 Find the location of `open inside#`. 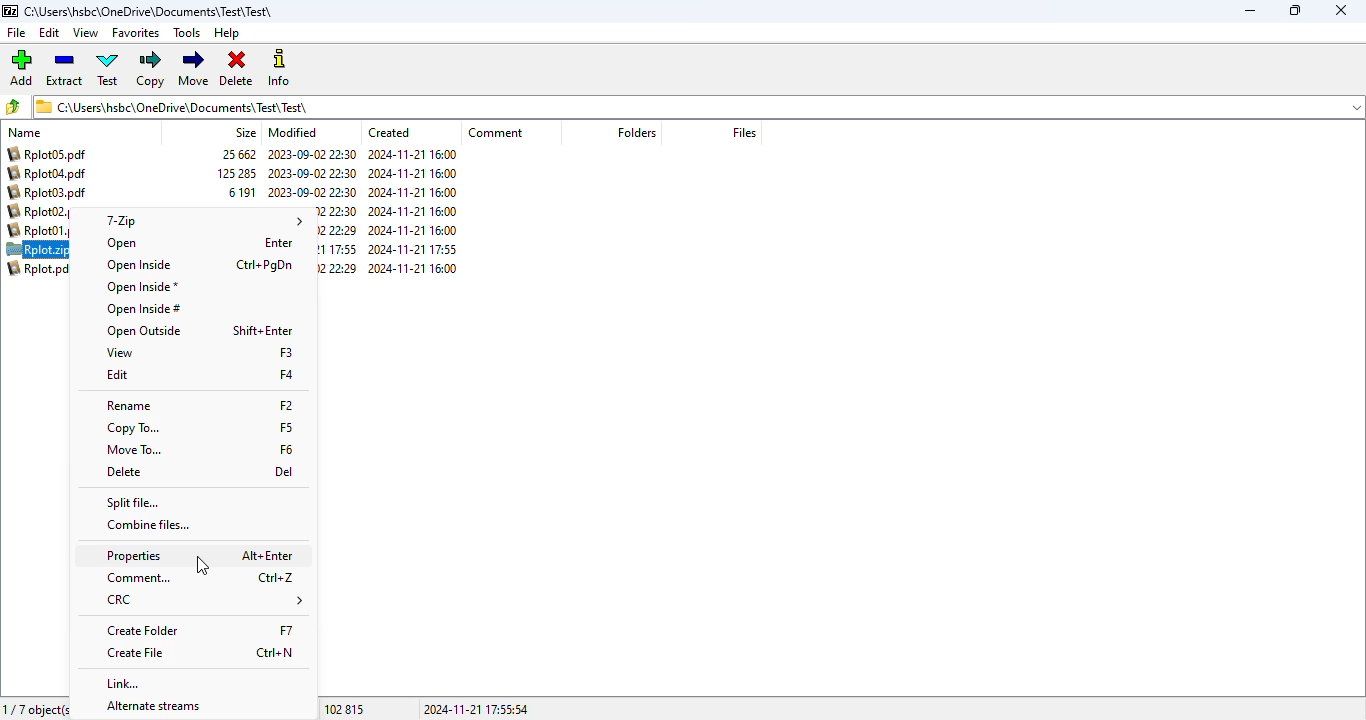

open inside# is located at coordinates (143, 310).